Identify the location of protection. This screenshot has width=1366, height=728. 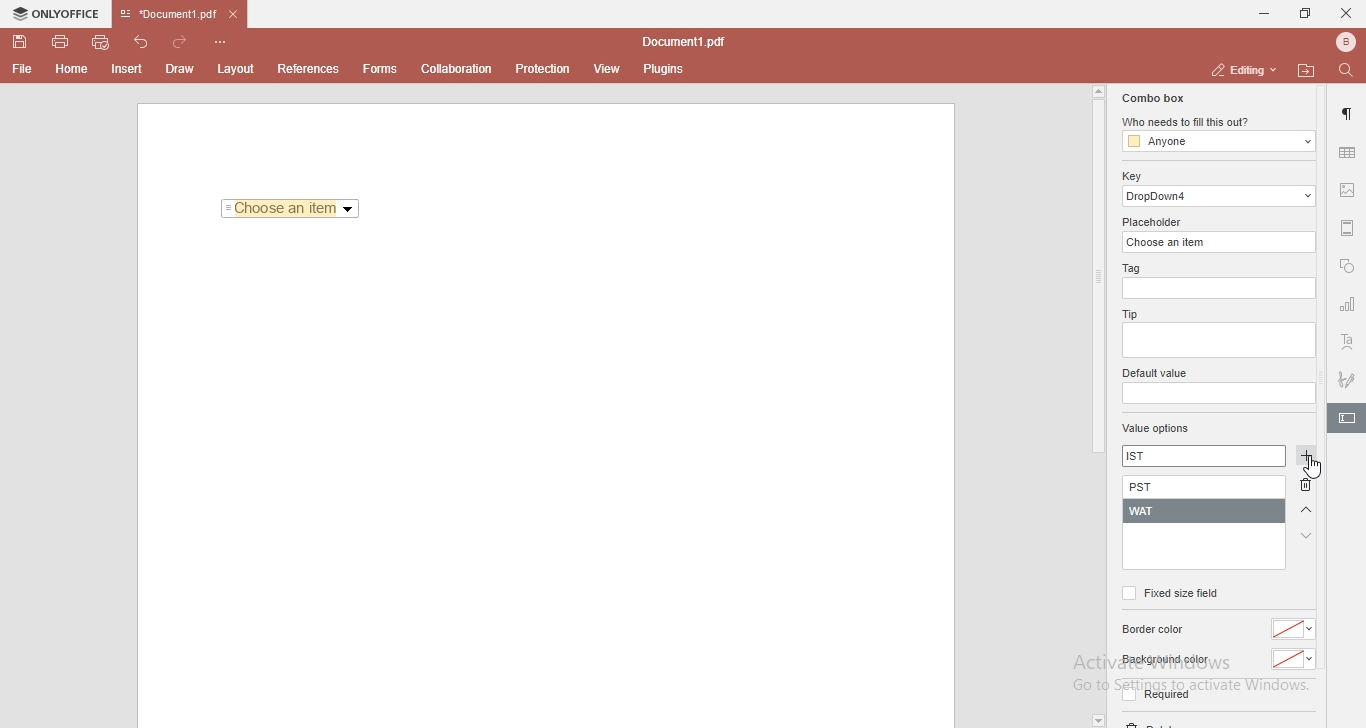
(543, 68).